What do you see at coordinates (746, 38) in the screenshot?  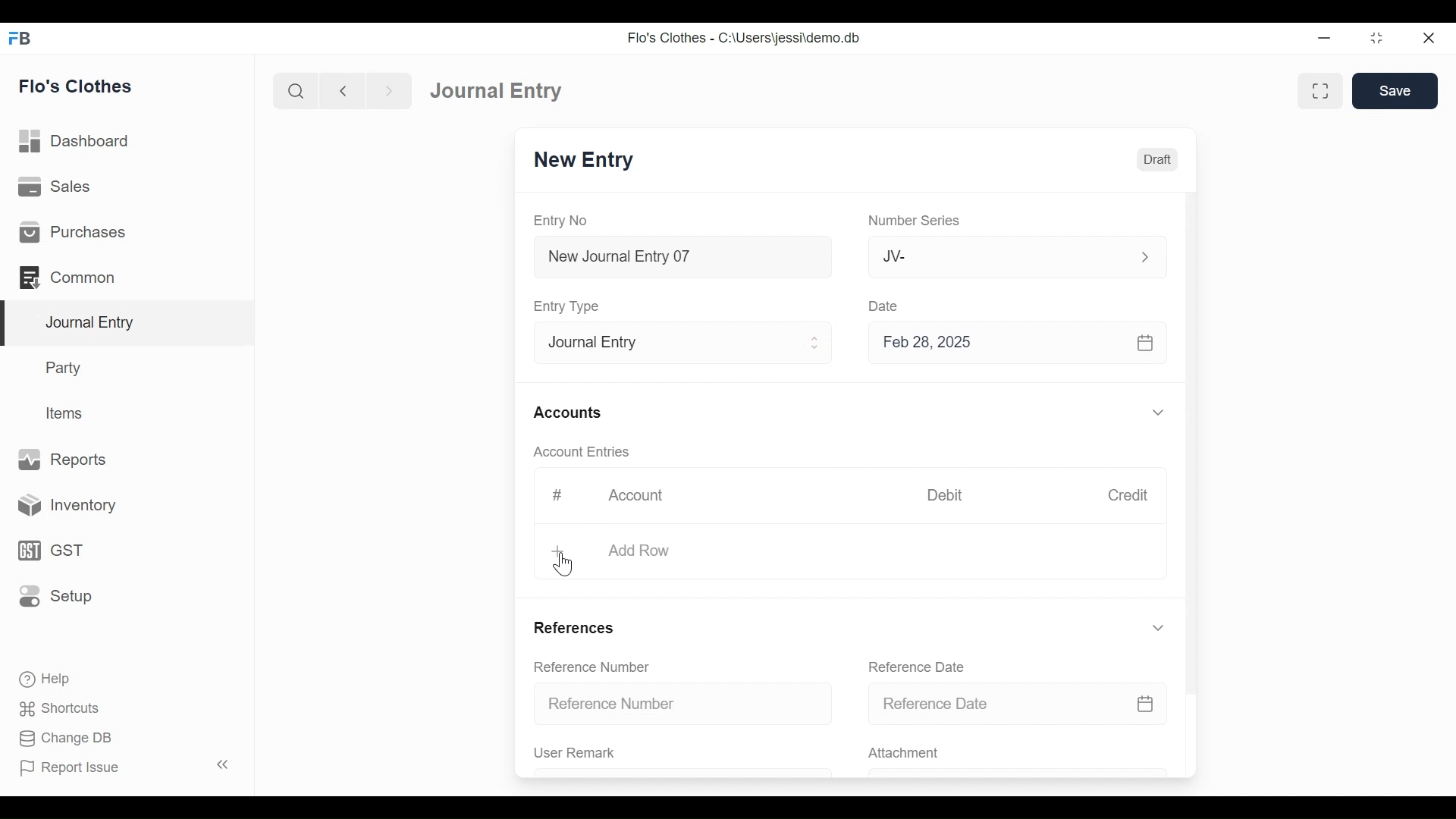 I see `Flo's Clothes - C:\Users\jessi\demo.db` at bounding box center [746, 38].